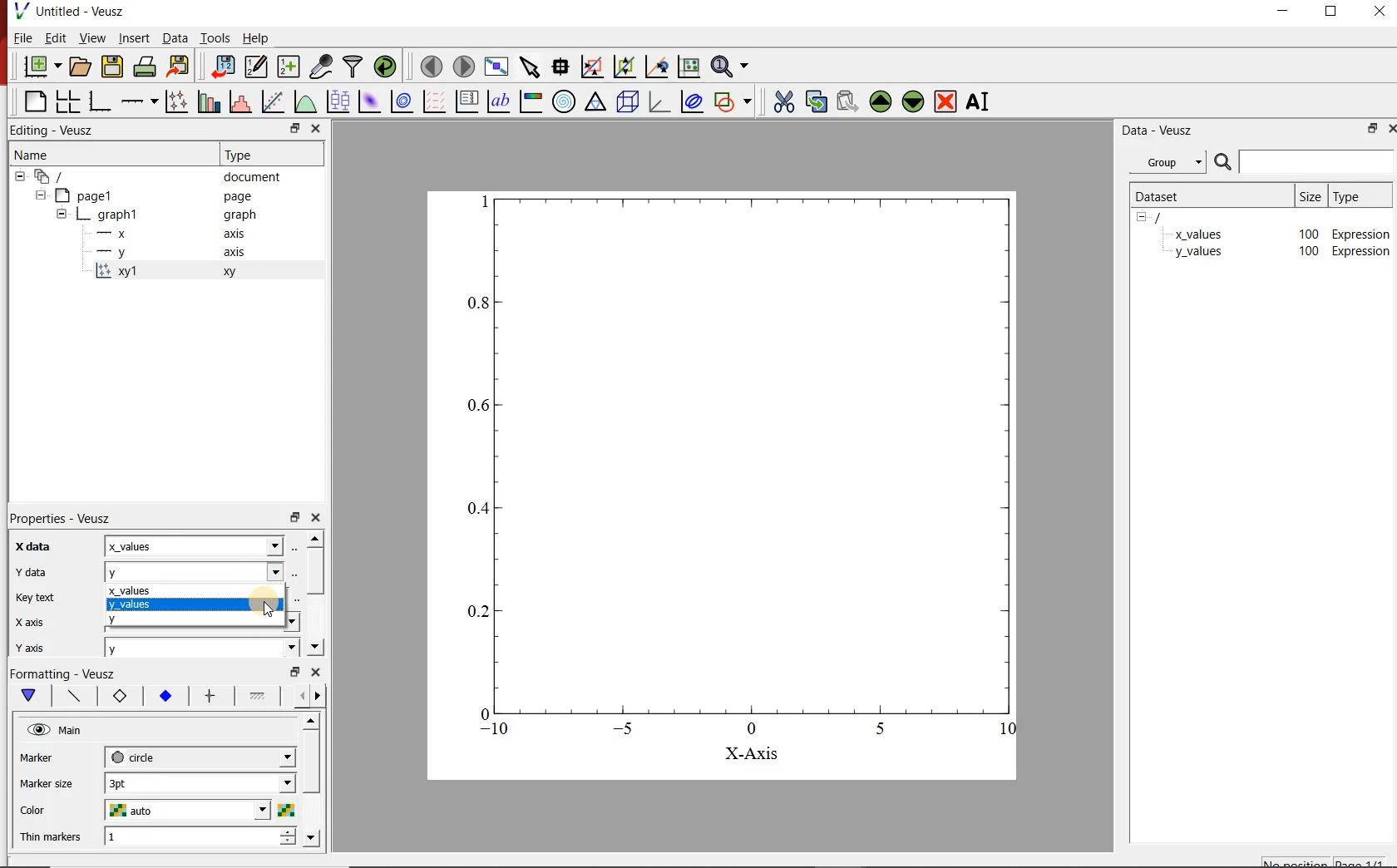 The width and height of the screenshot is (1397, 868). Describe the element at coordinates (434, 101) in the screenshot. I see `plot vector field` at that location.